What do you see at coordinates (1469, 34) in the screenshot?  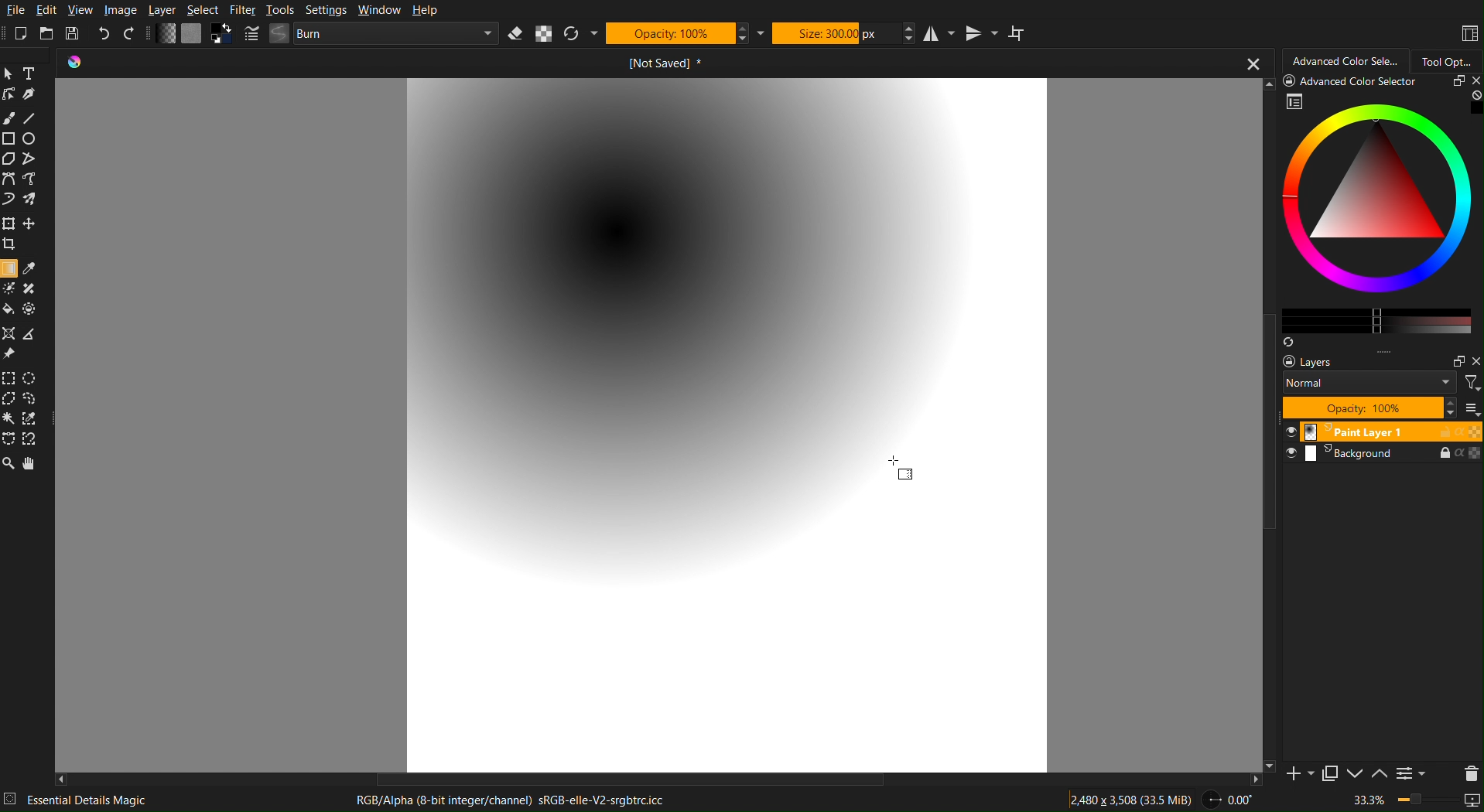 I see `Workspaces` at bounding box center [1469, 34].